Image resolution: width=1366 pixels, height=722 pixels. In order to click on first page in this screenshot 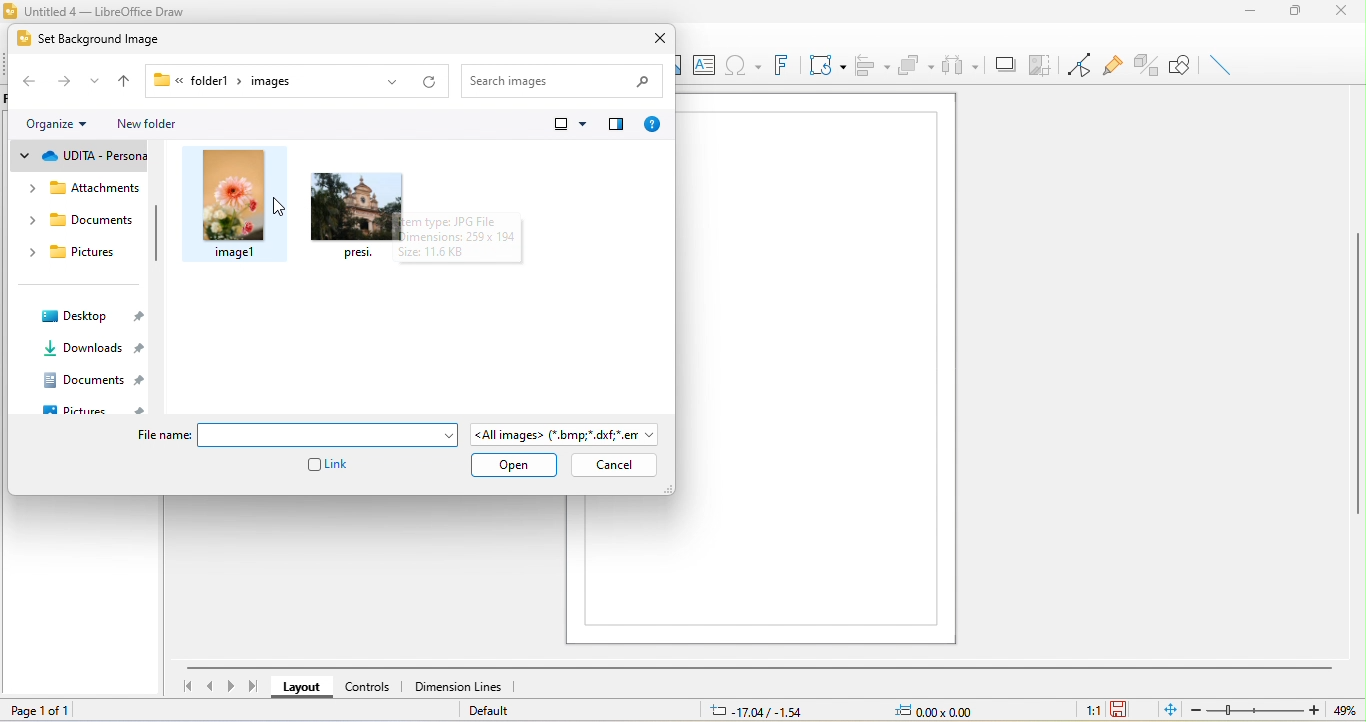, I will do `click(183, 686)`.